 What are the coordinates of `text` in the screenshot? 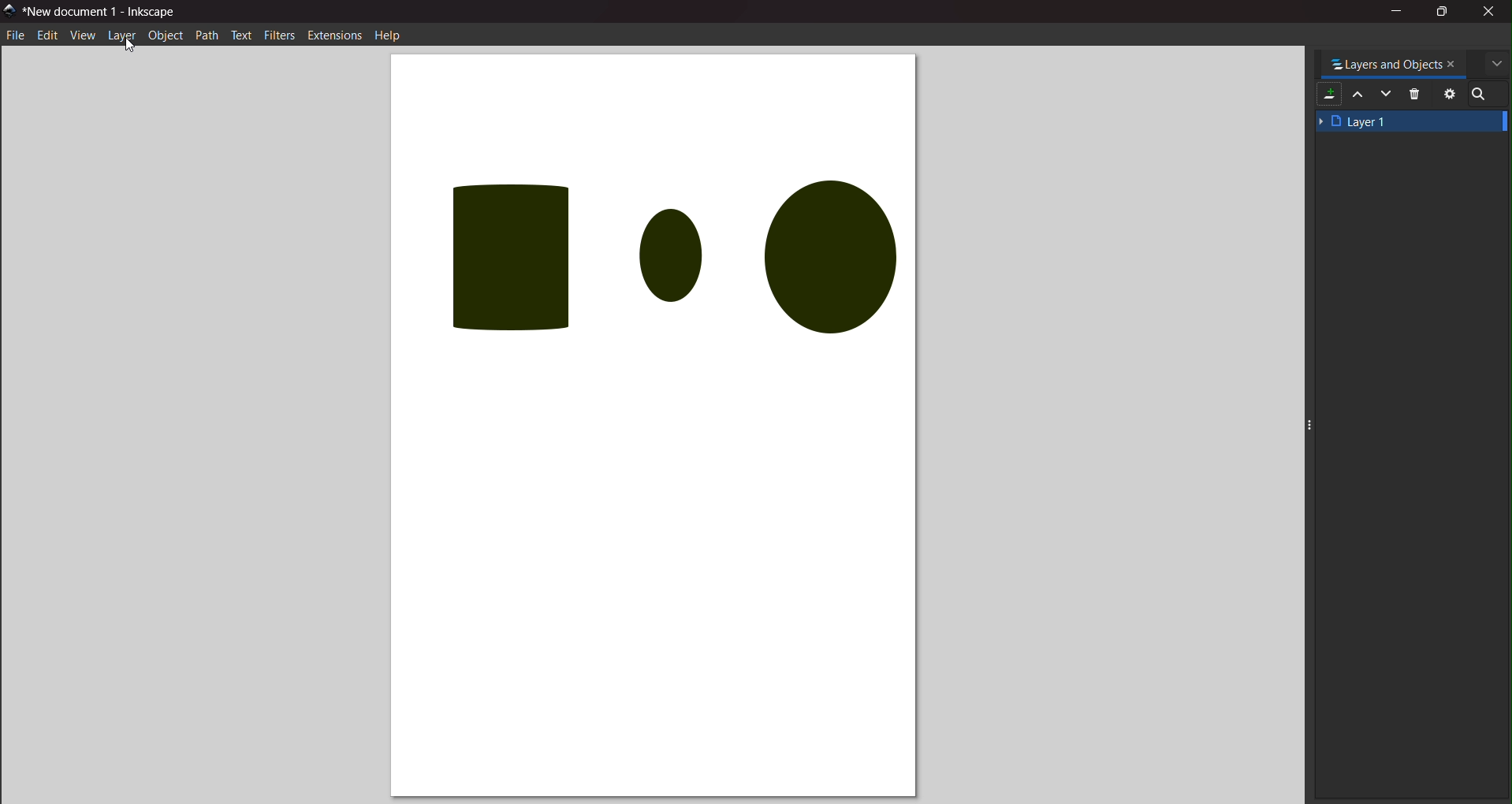 It's located at (241, 35).